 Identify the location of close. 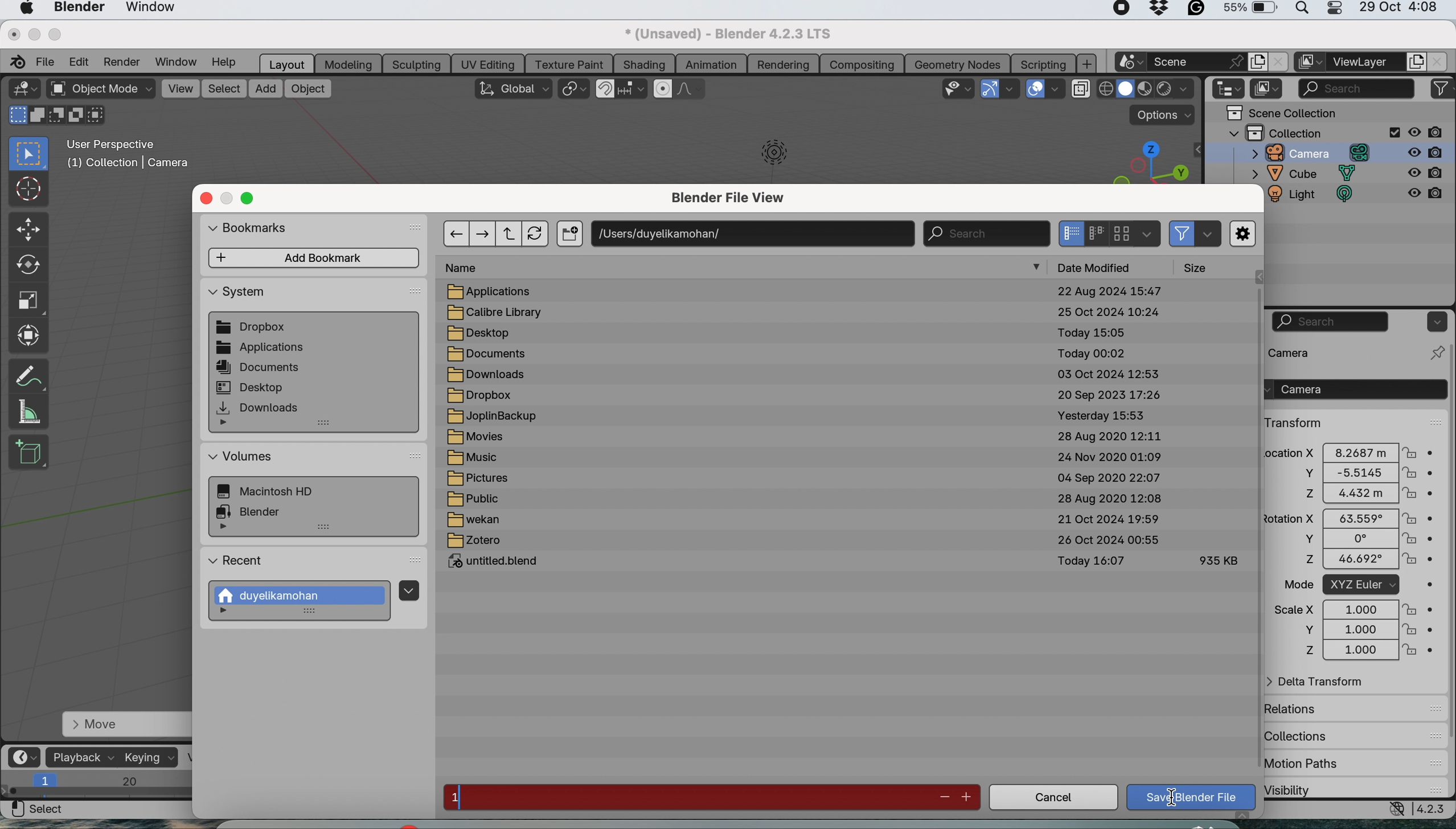
(1439, 61).